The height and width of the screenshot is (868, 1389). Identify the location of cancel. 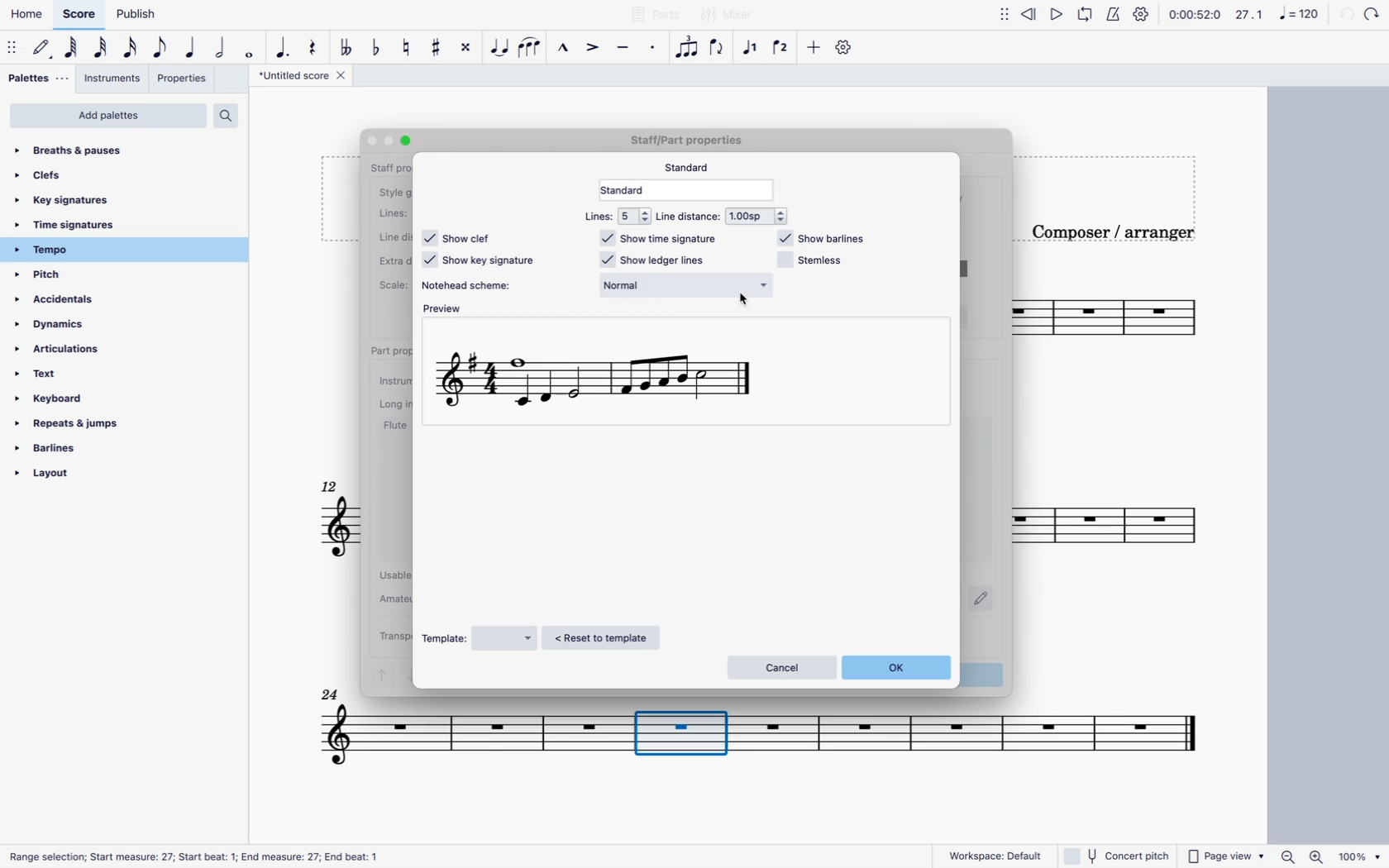
(780, 666).